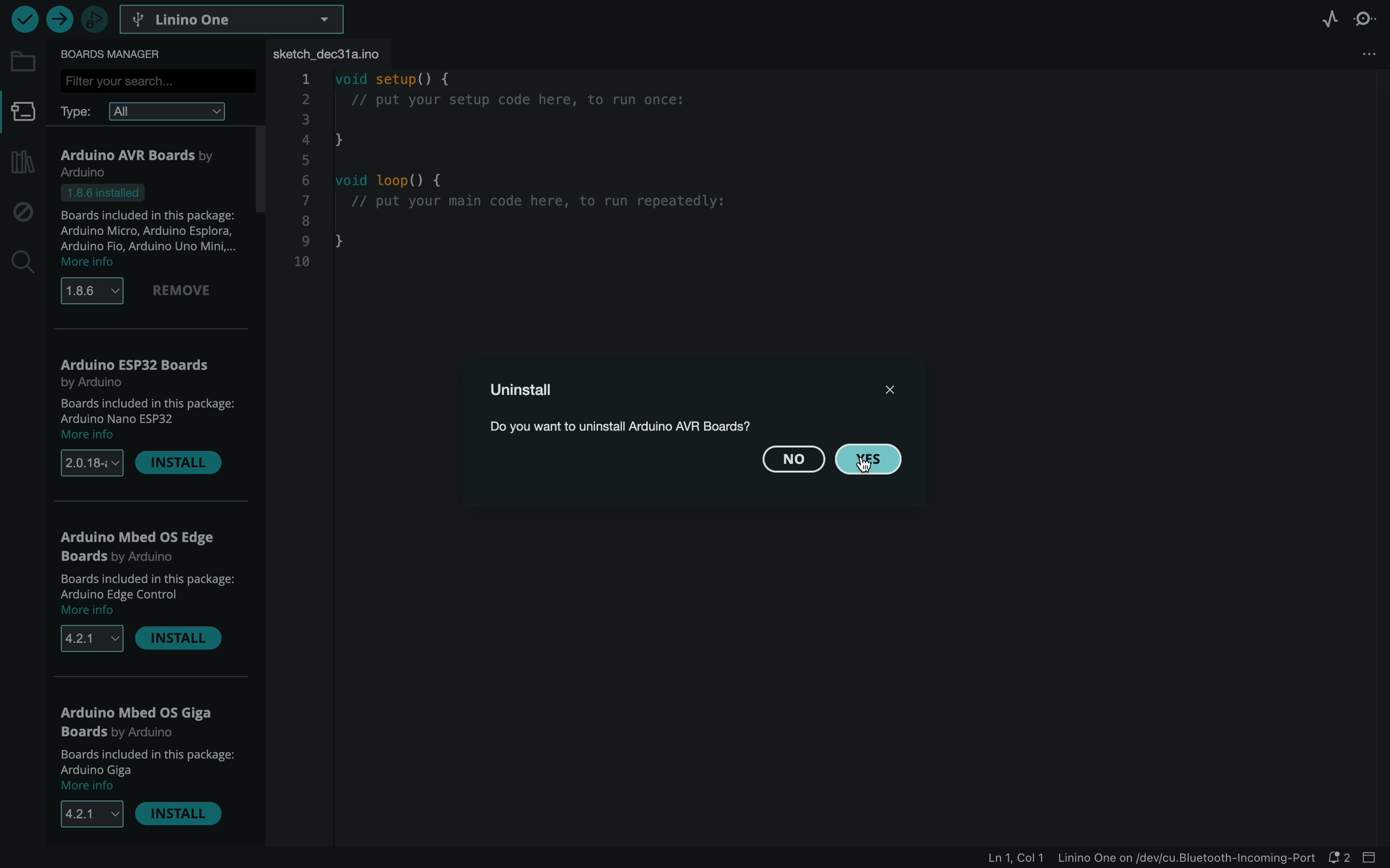 The width and height of the screenshot is (1390, 868). Describe the element at coordinates (24, 22) in the screenshot. I see `verify` at that location.